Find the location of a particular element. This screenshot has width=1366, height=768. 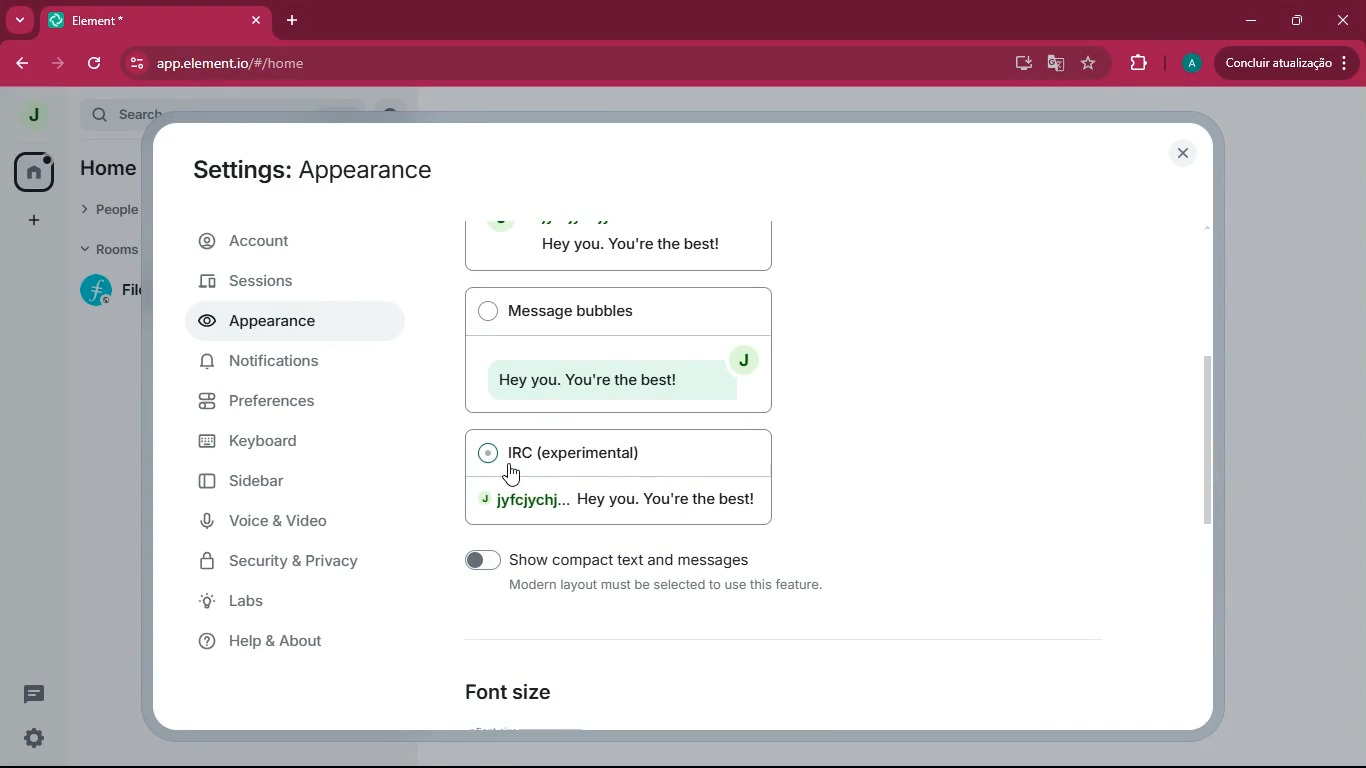

security & privacy is located at coordinates (285, 560).